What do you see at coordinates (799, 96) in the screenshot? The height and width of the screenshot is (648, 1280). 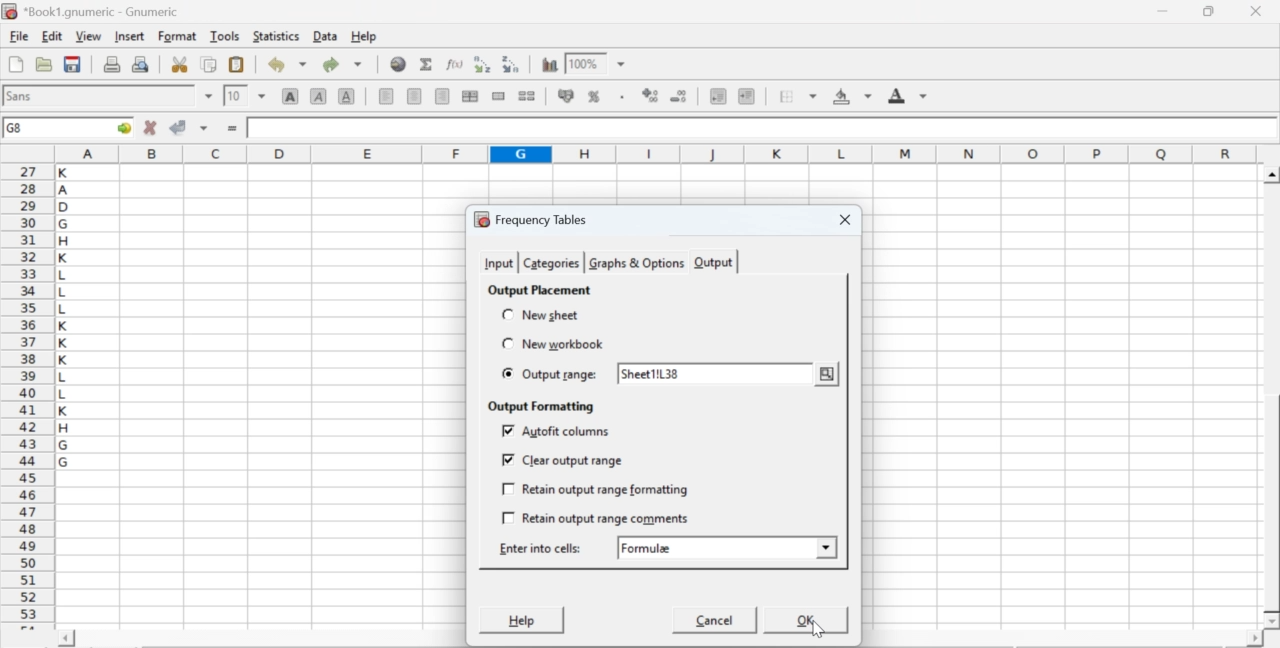 I see `borders` at bounding box center [799, 96].